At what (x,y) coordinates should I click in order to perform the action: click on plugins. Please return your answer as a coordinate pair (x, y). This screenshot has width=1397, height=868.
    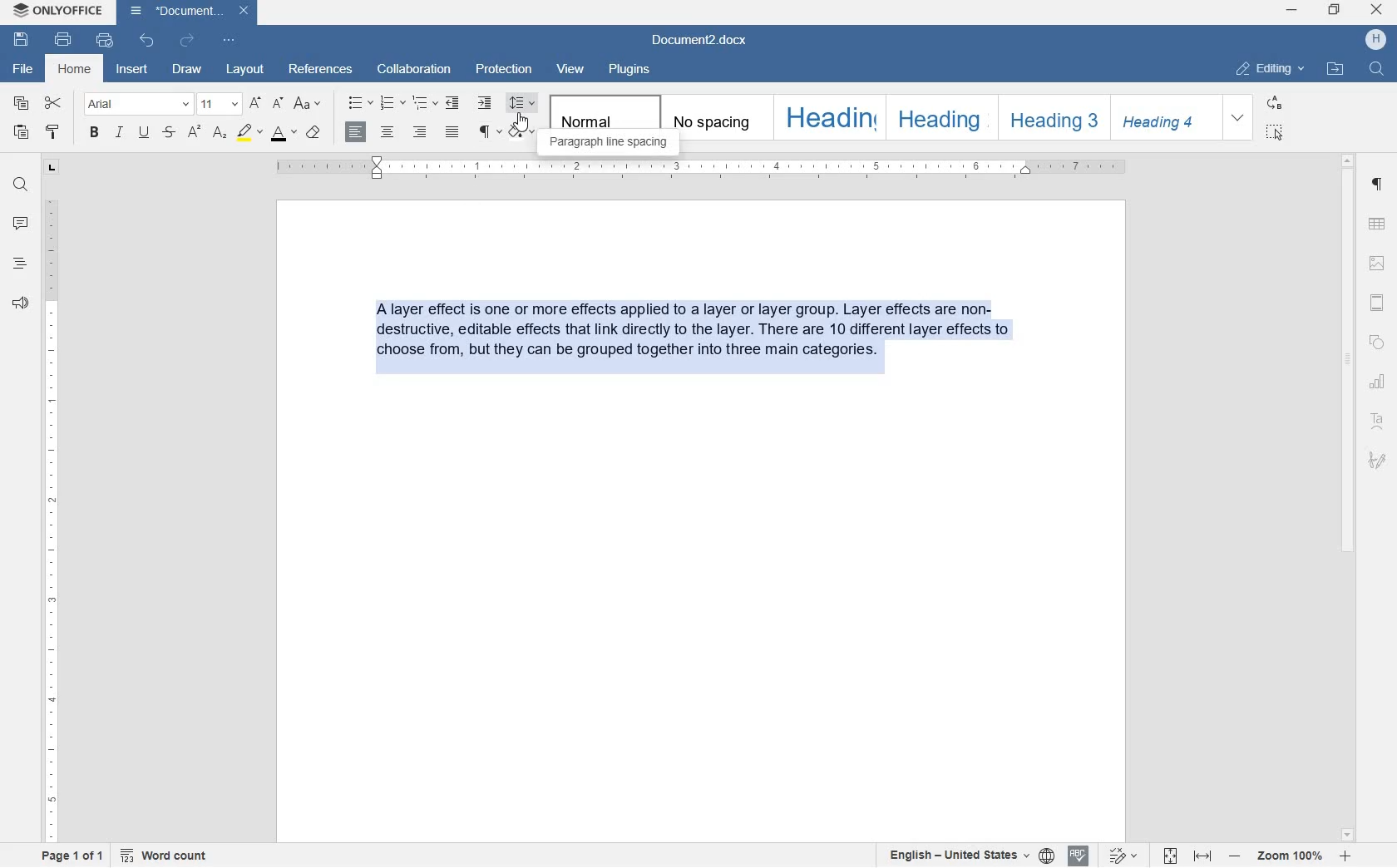
    Looking at the image, I should click on (635, 72).